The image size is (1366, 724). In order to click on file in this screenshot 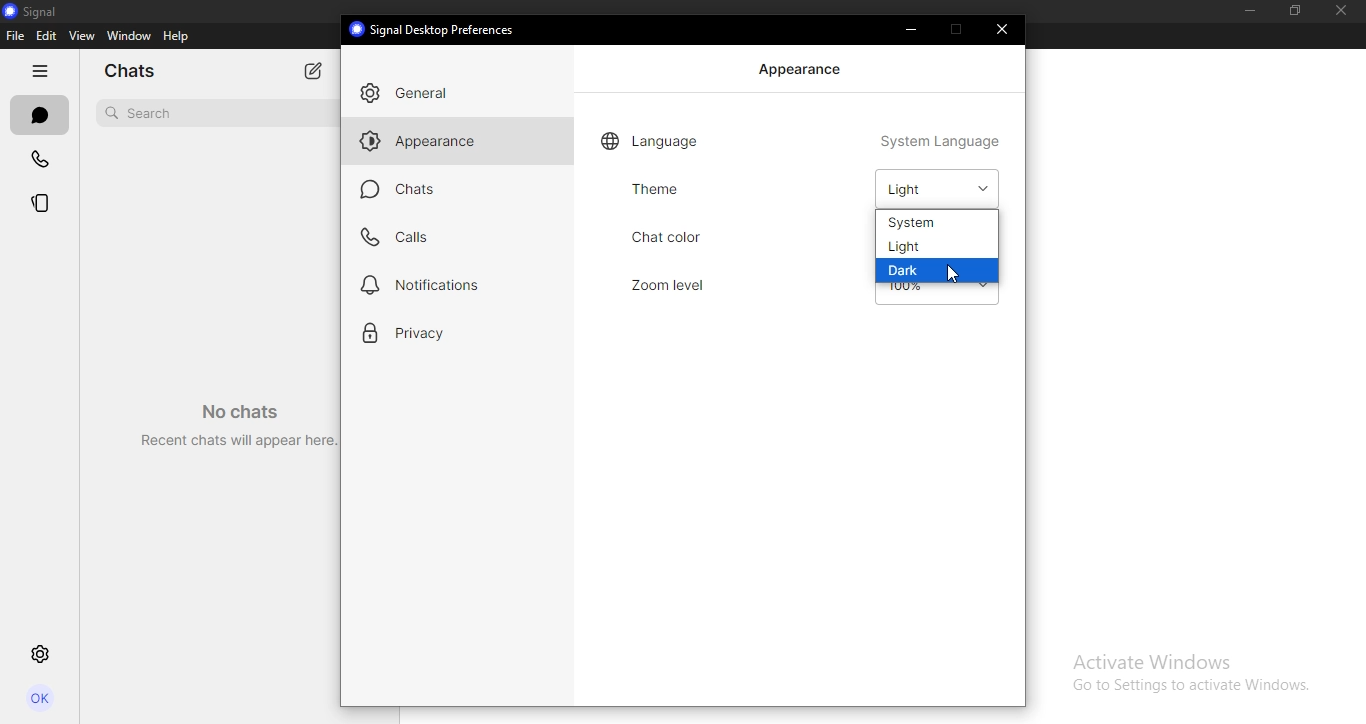, I will do `click(16, 37)`.